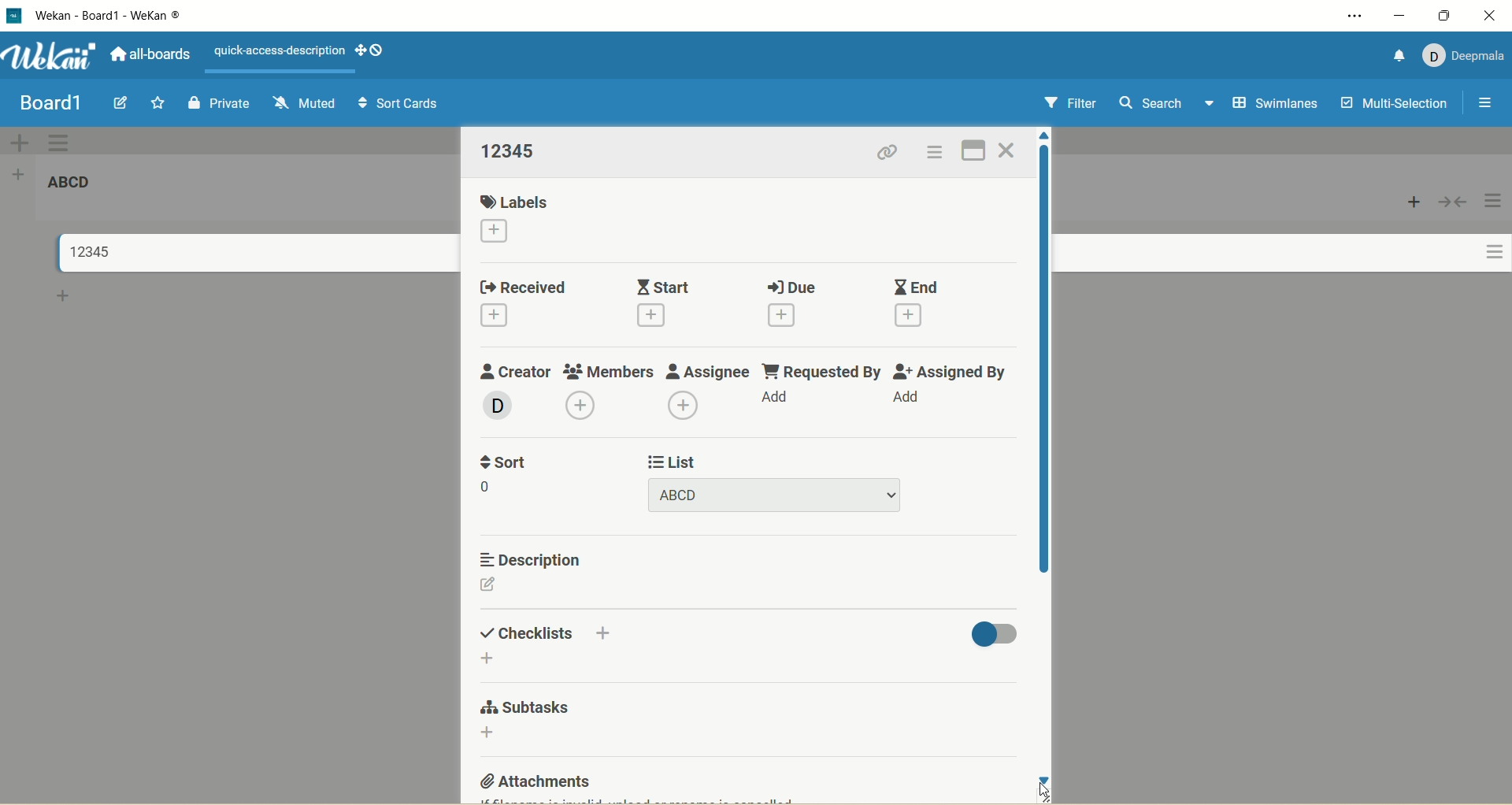 The height and width of the screenshot is (805, 1512). I want to click on list, so click(673, 461).